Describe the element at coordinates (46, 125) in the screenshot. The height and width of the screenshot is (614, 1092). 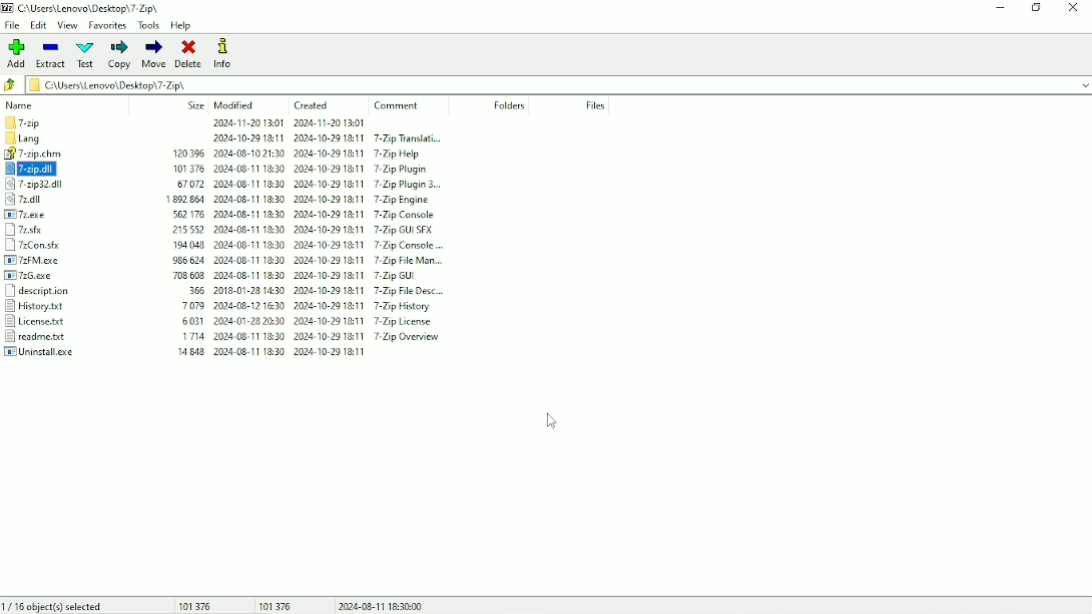
I see `Files extracted` at that location.